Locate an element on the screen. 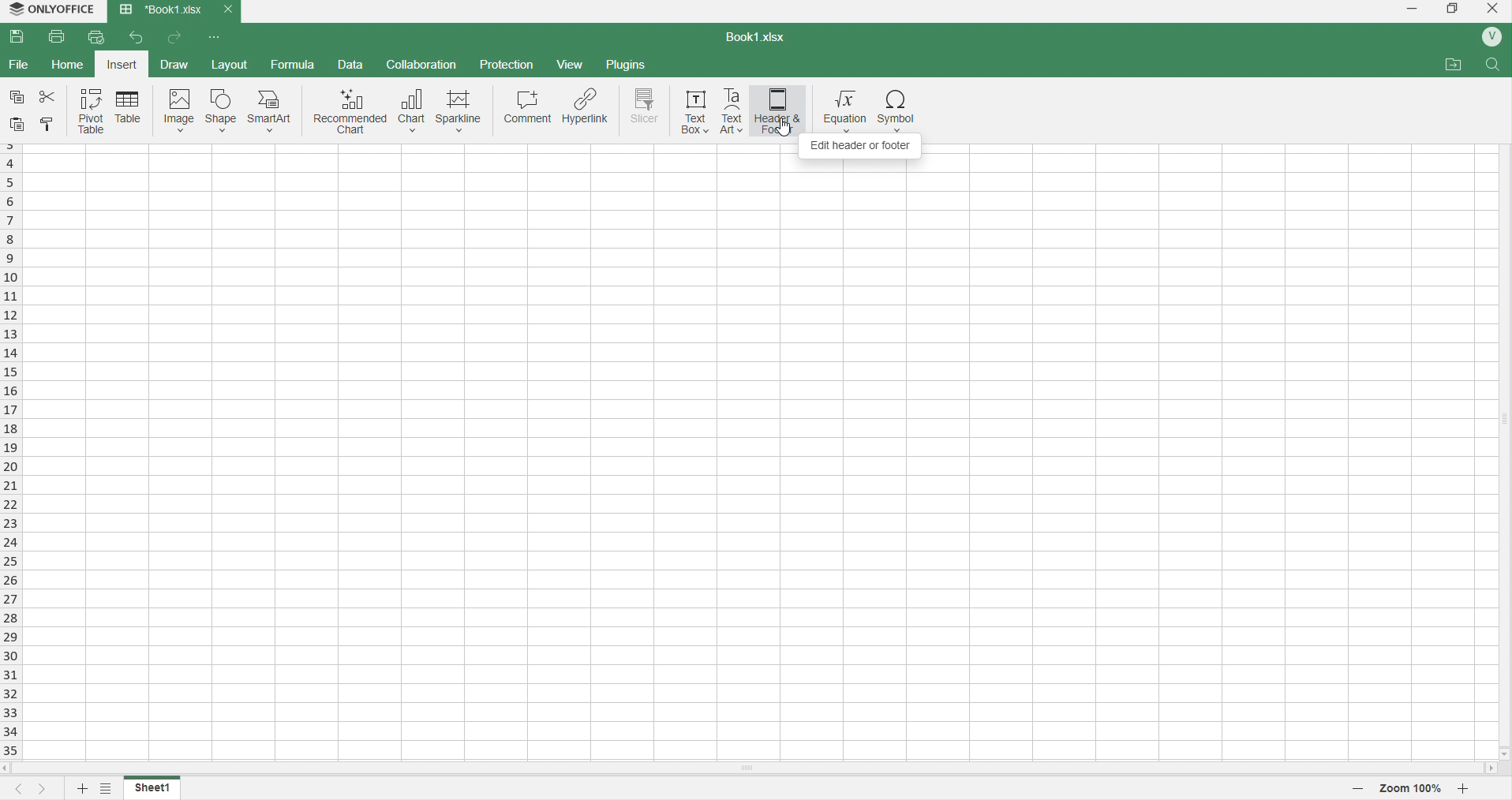 Image resolution: width=1512 pixels, height=800 pixels. smart art is located at coordinates (269, 111).